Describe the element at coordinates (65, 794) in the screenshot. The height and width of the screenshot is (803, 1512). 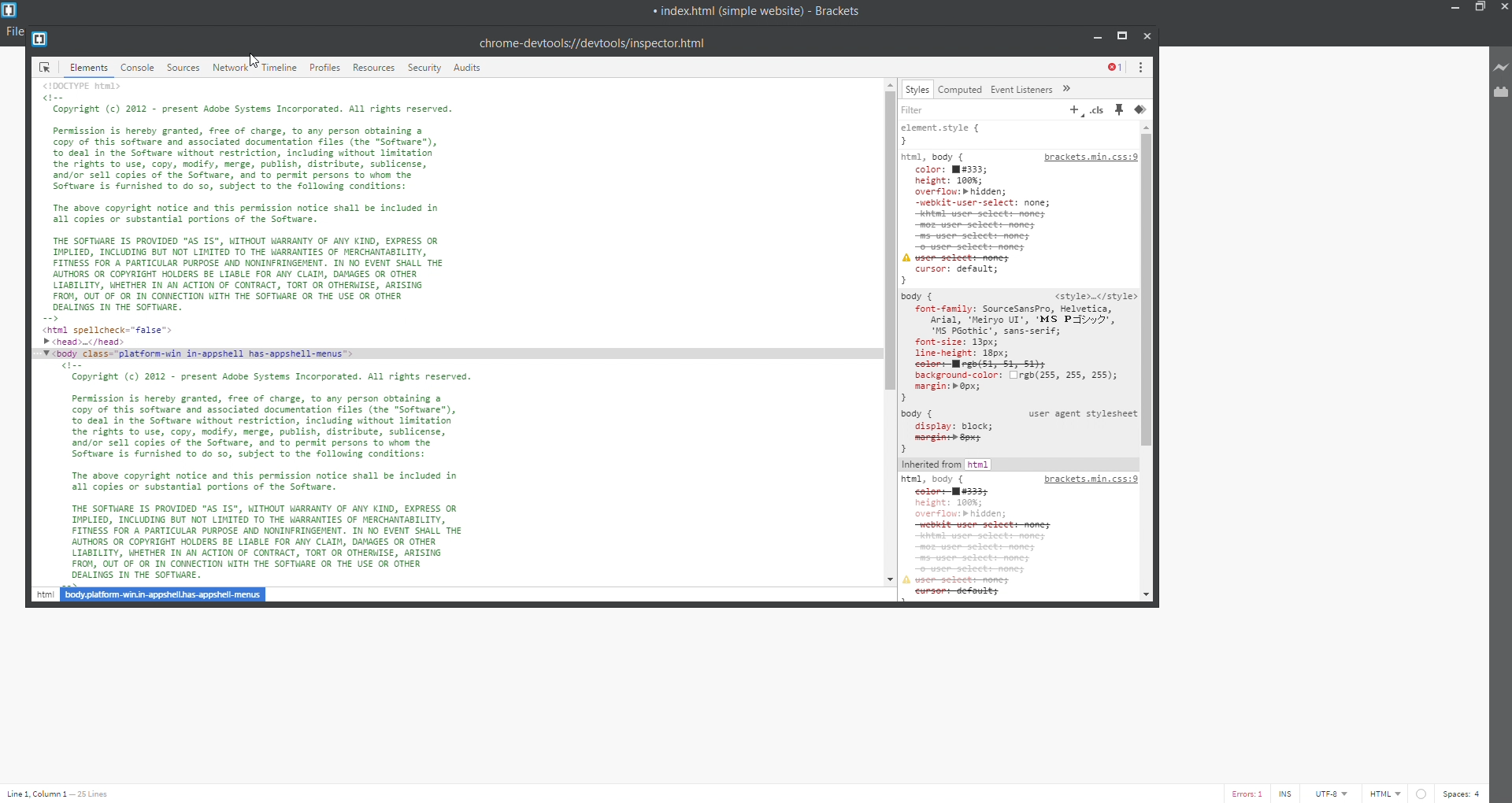
I see `text cursor position` at that location.